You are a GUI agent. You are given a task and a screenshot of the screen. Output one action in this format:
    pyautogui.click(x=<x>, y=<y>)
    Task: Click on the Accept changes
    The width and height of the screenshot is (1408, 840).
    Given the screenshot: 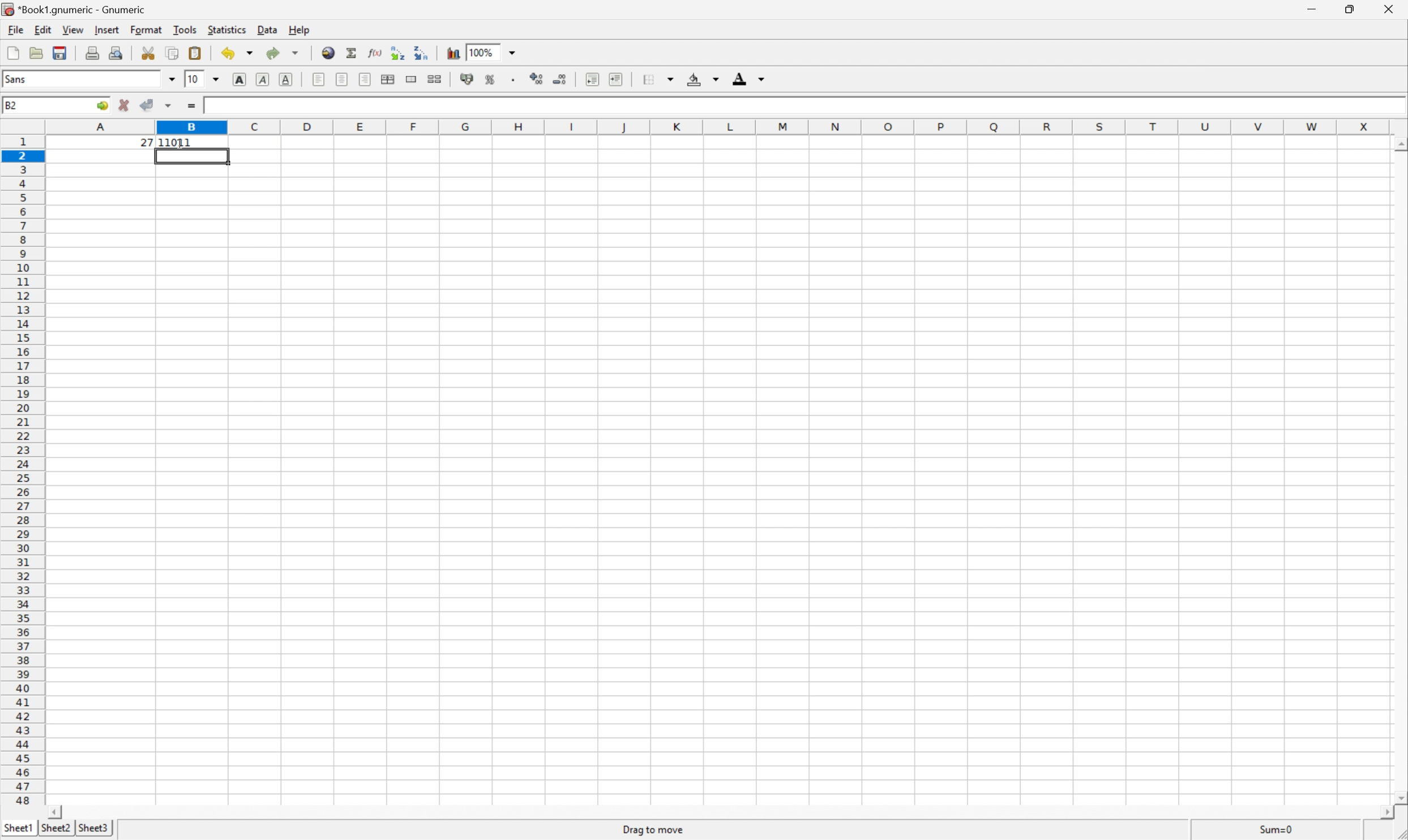 What is the action you would take?
    pyautogui.click(x=146, y=104)
    